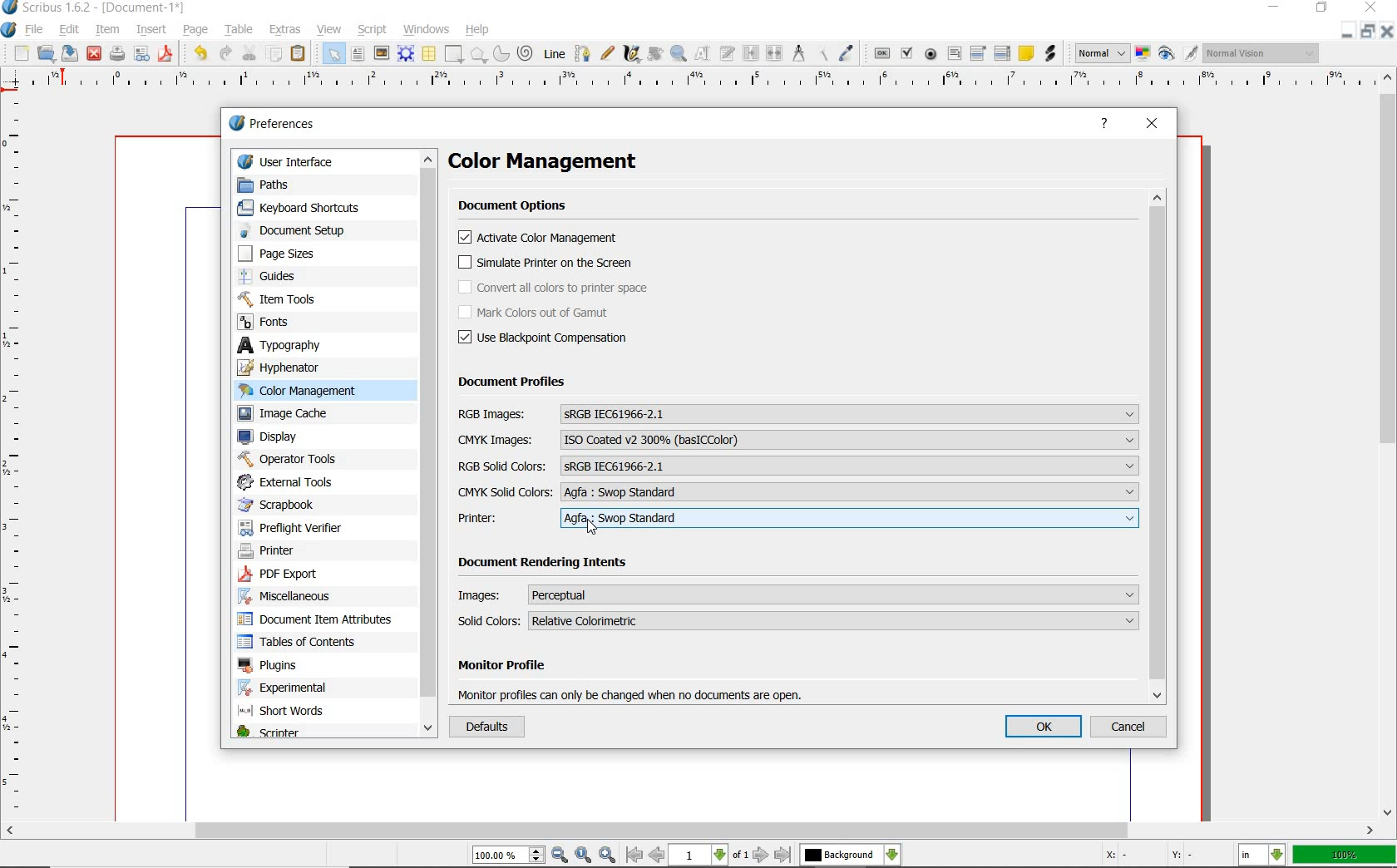 The image size is (1397, 868). Describe the element at coordinates (406, 53) in the screenshot. I see `render frame` at that location.